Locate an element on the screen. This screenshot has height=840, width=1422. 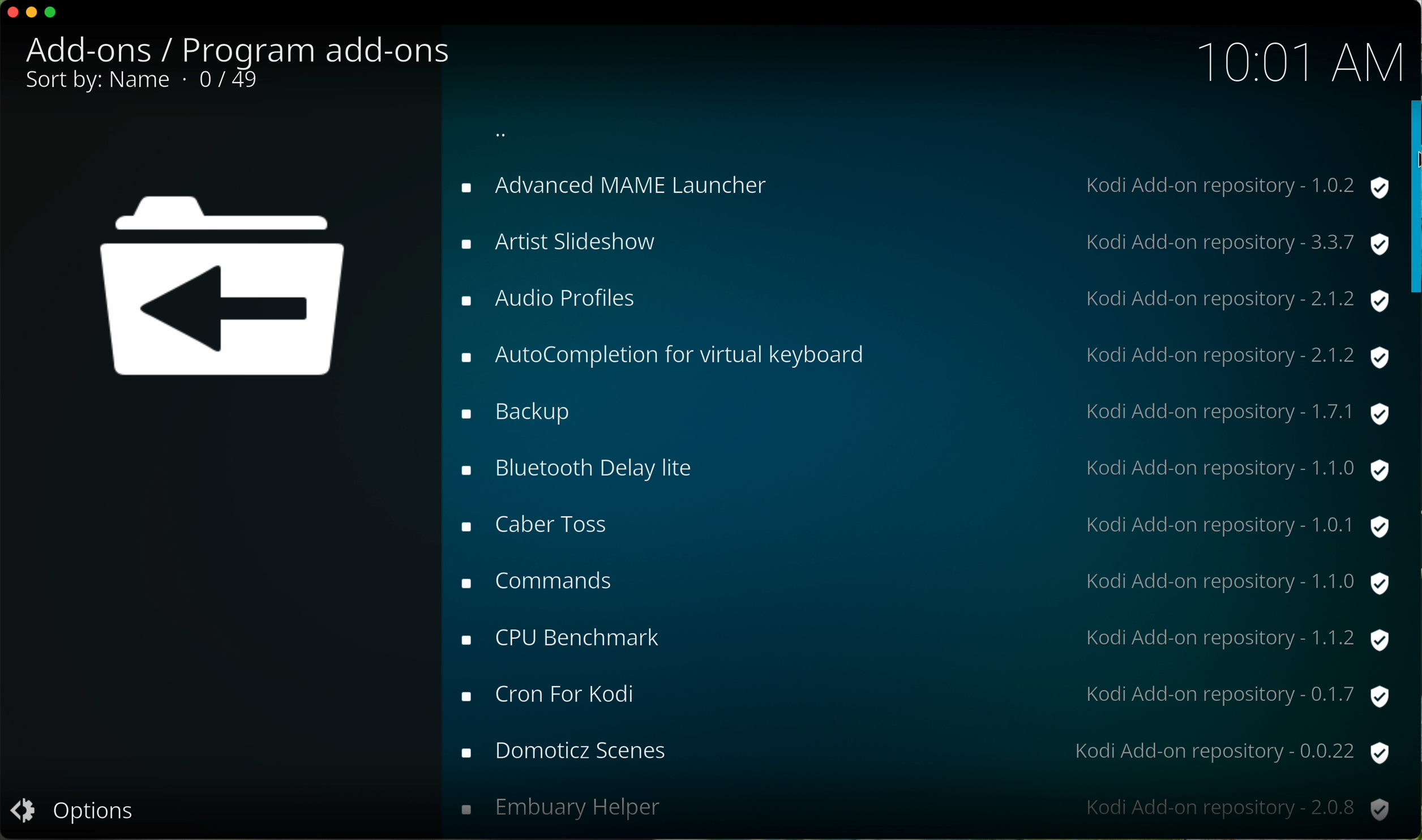
backup is located at coordinates (916, 410).